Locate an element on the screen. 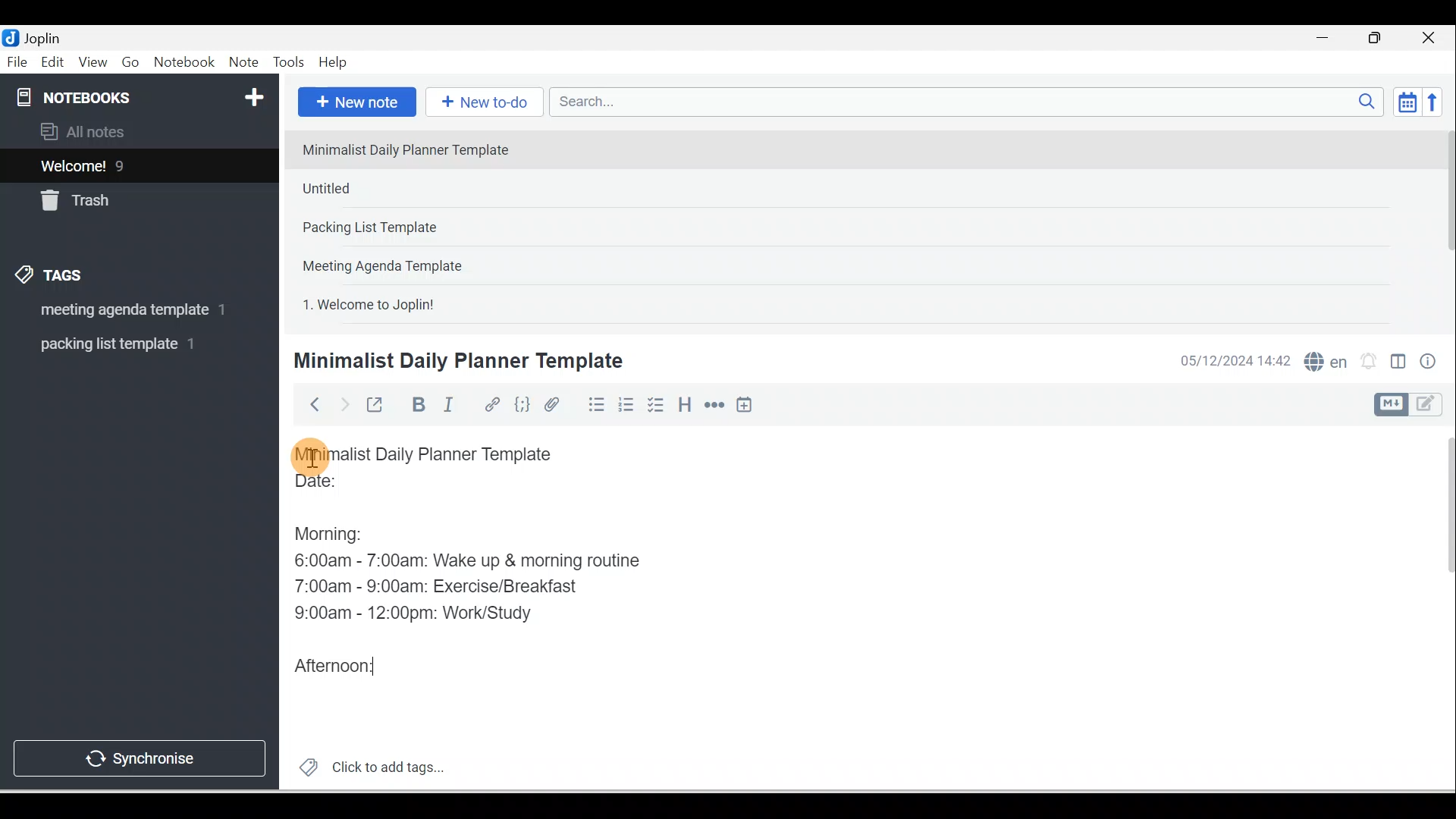 This screenshot has height=819, width=1456. Heading is located at coordinates (684, 403).